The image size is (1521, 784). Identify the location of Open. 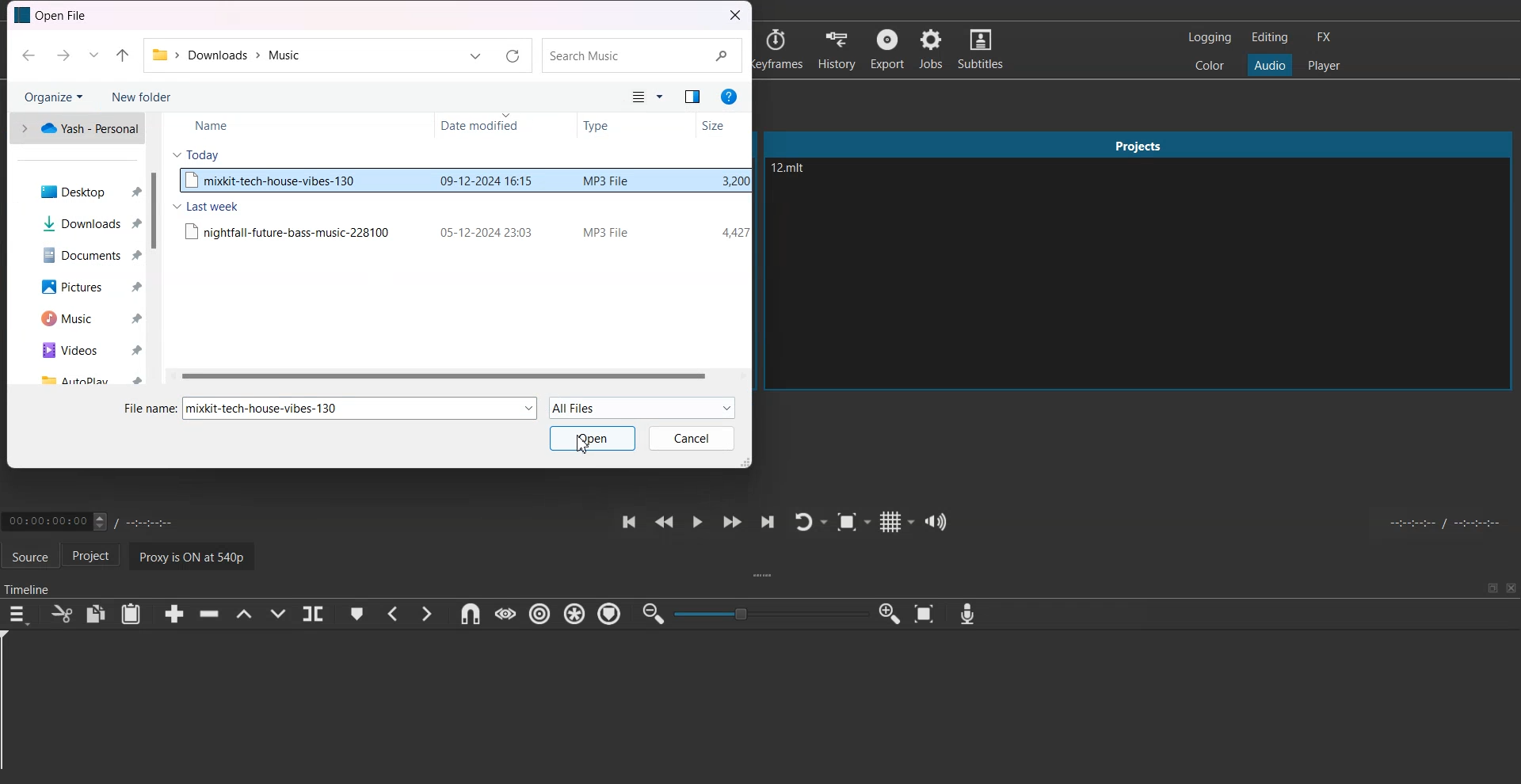
(593, 438).